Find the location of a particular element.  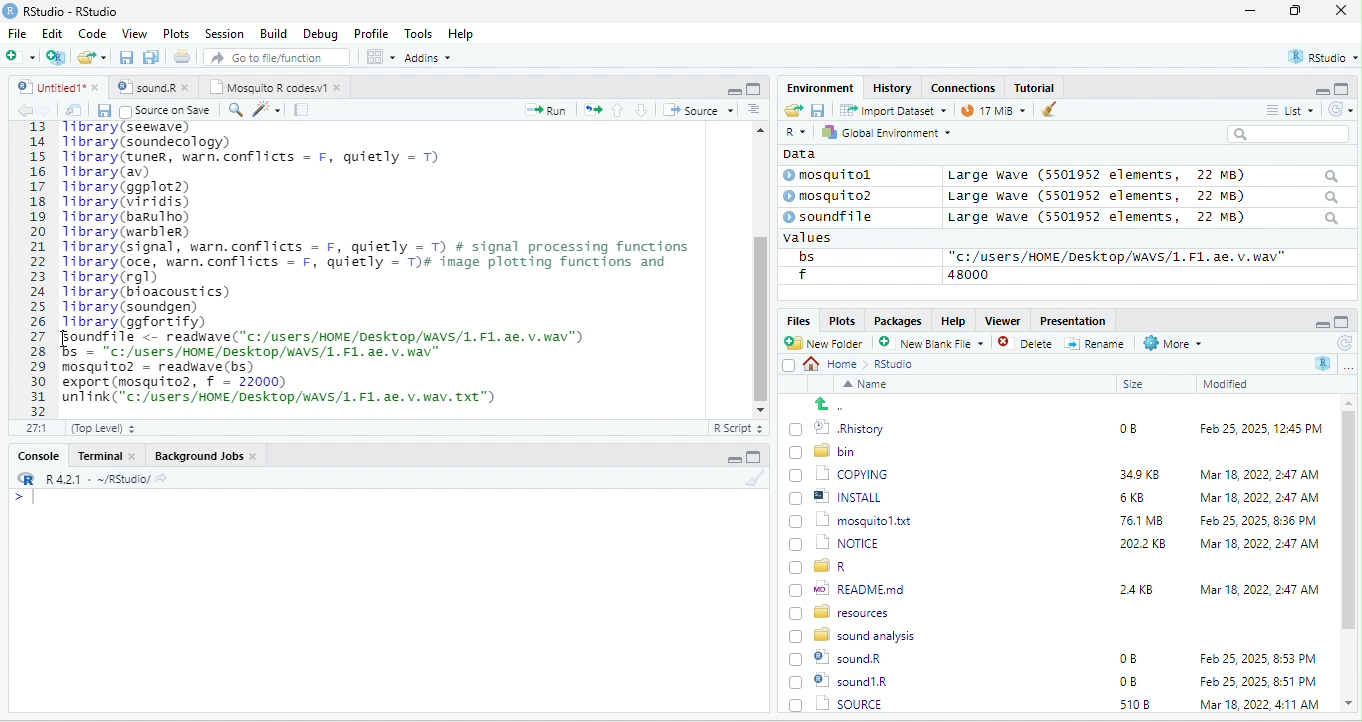

minimize is located at coordinates (1320, 323).